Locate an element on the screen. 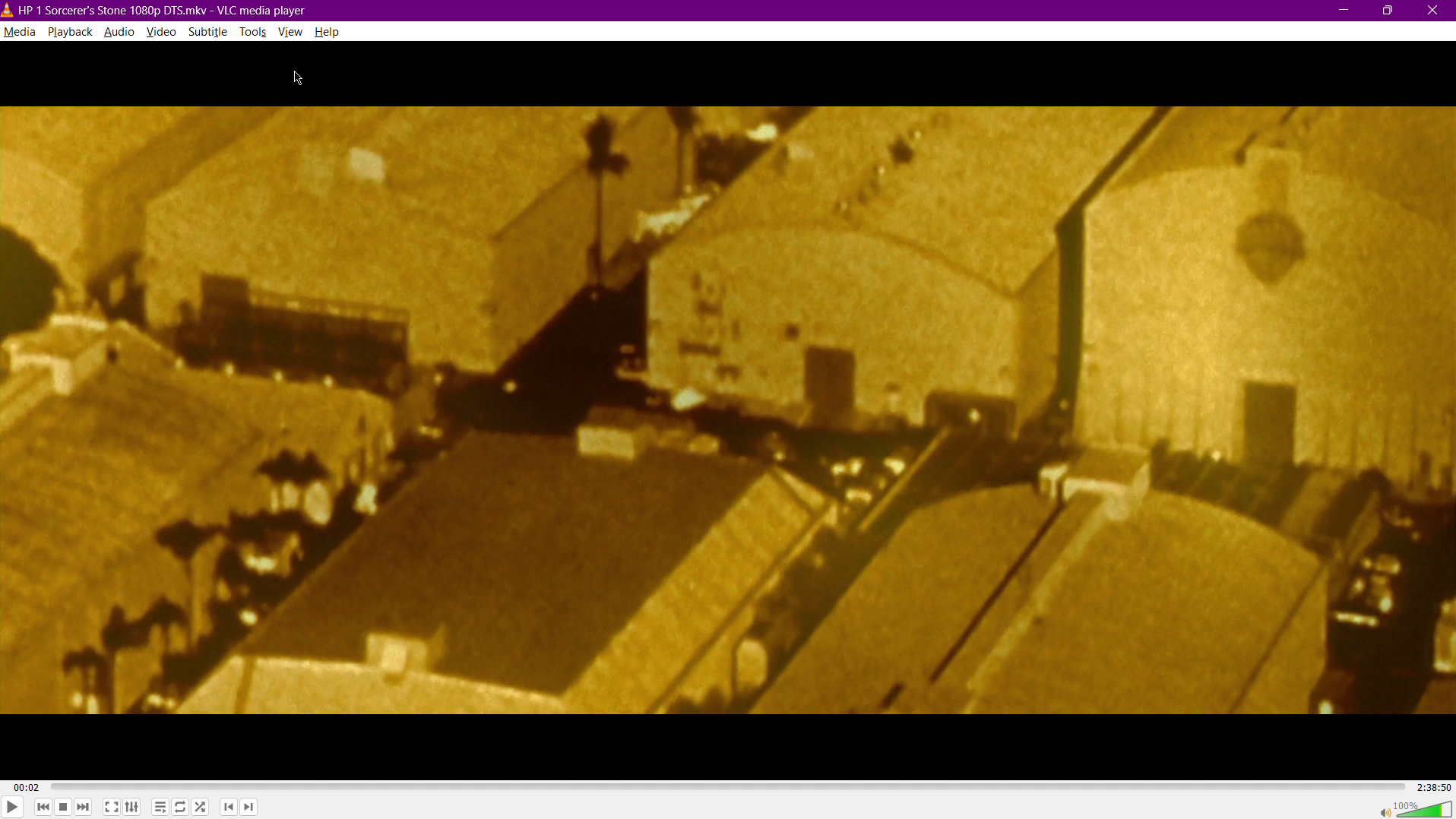 This screenshot has width=1456, height=819. Subtitle is located at coordinates (210, 33).